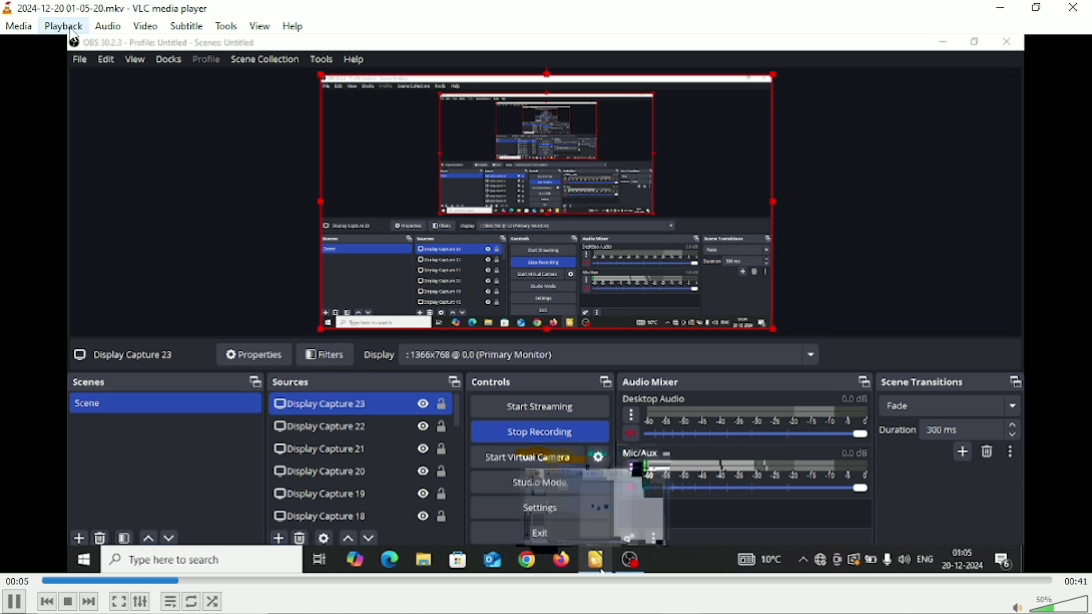  What do you see at coordinates (78, 37) in the screenshot?
I see `Cursor` at bounding box center [78, 37].